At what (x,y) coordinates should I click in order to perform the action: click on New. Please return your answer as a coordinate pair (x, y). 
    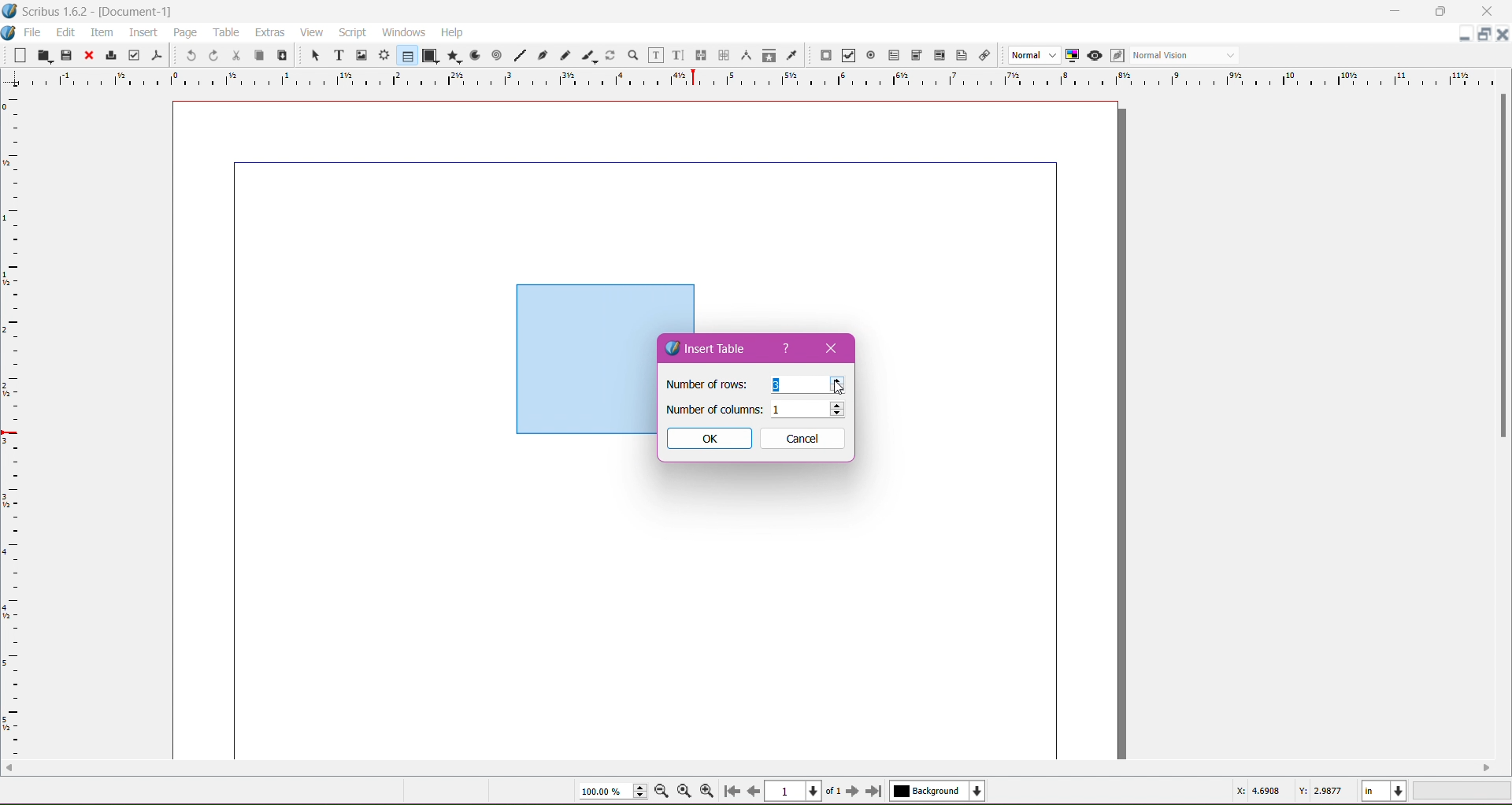
    Looking at the image, I should click on (22, 54).